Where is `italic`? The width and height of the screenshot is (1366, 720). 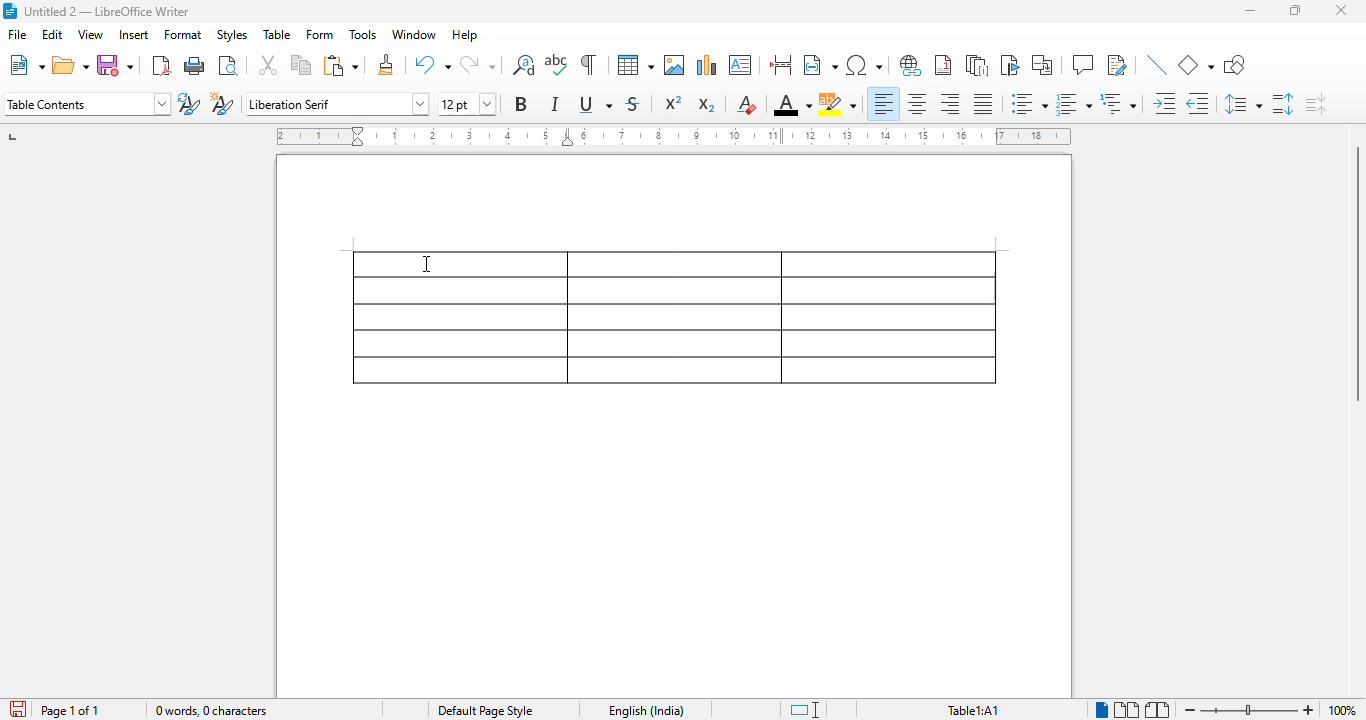 italic is located at coordinates (554, 104).